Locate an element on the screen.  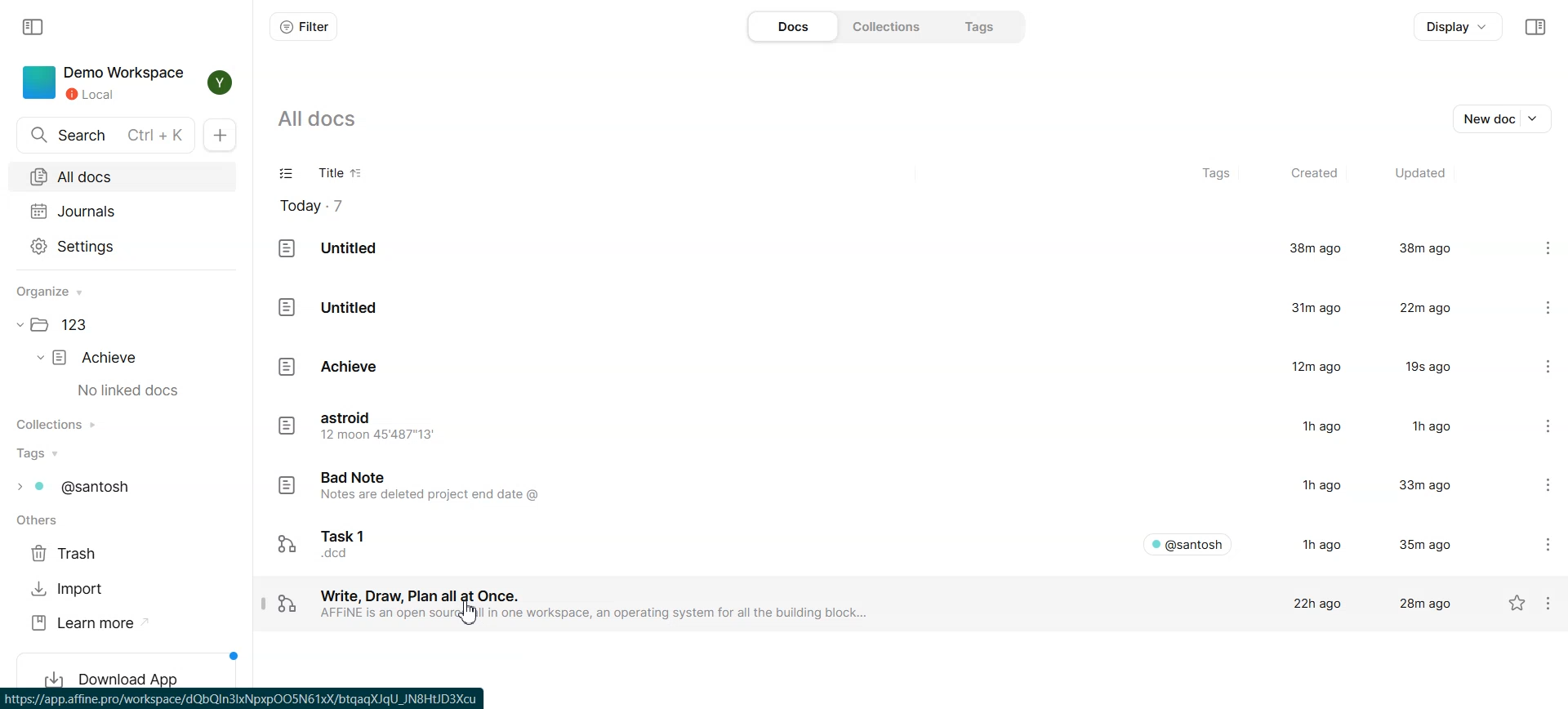
Learn more is located at coordinates (90, 623).